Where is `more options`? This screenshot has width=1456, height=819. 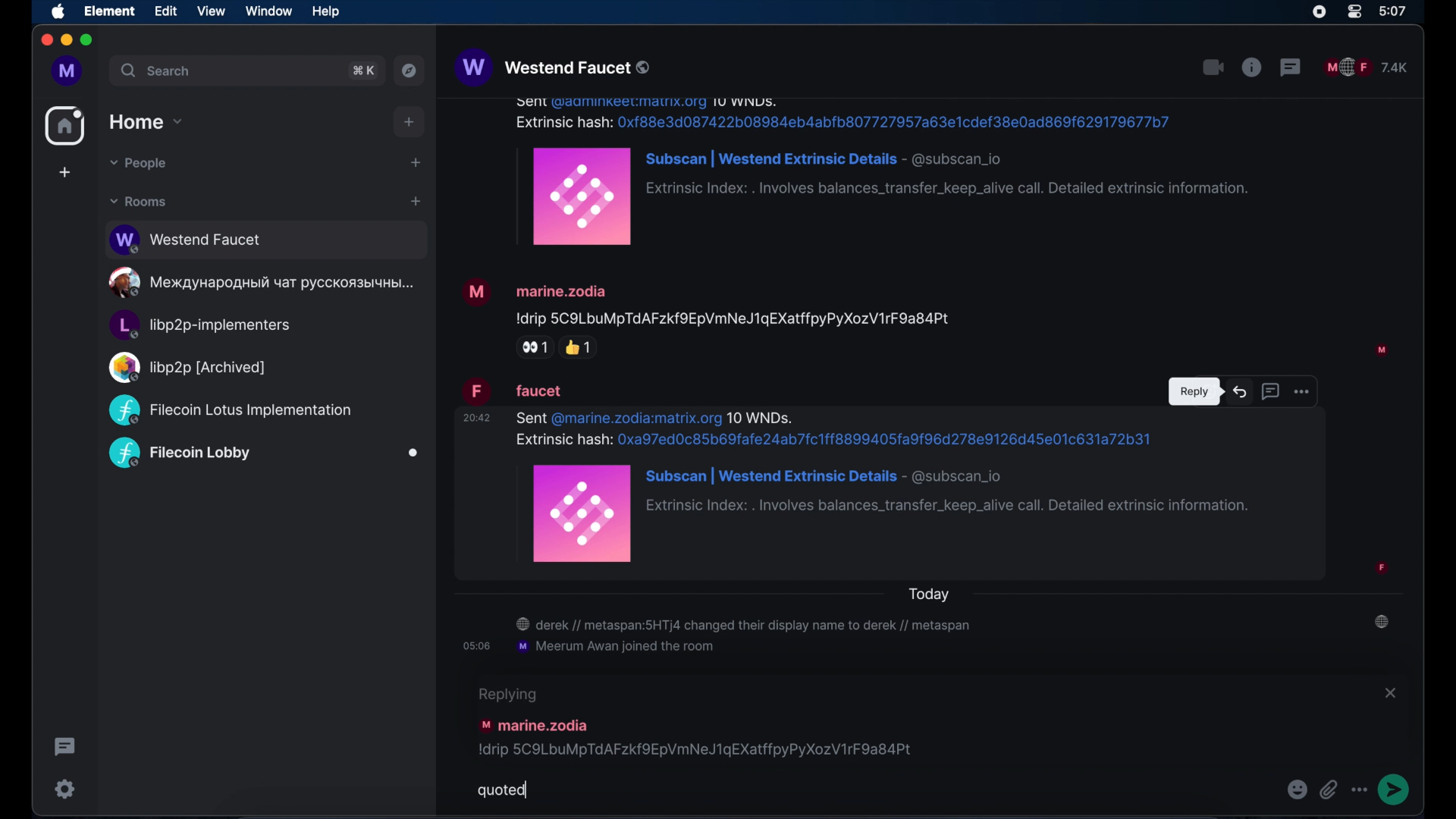
more options is located at coordinates (1302, 390).